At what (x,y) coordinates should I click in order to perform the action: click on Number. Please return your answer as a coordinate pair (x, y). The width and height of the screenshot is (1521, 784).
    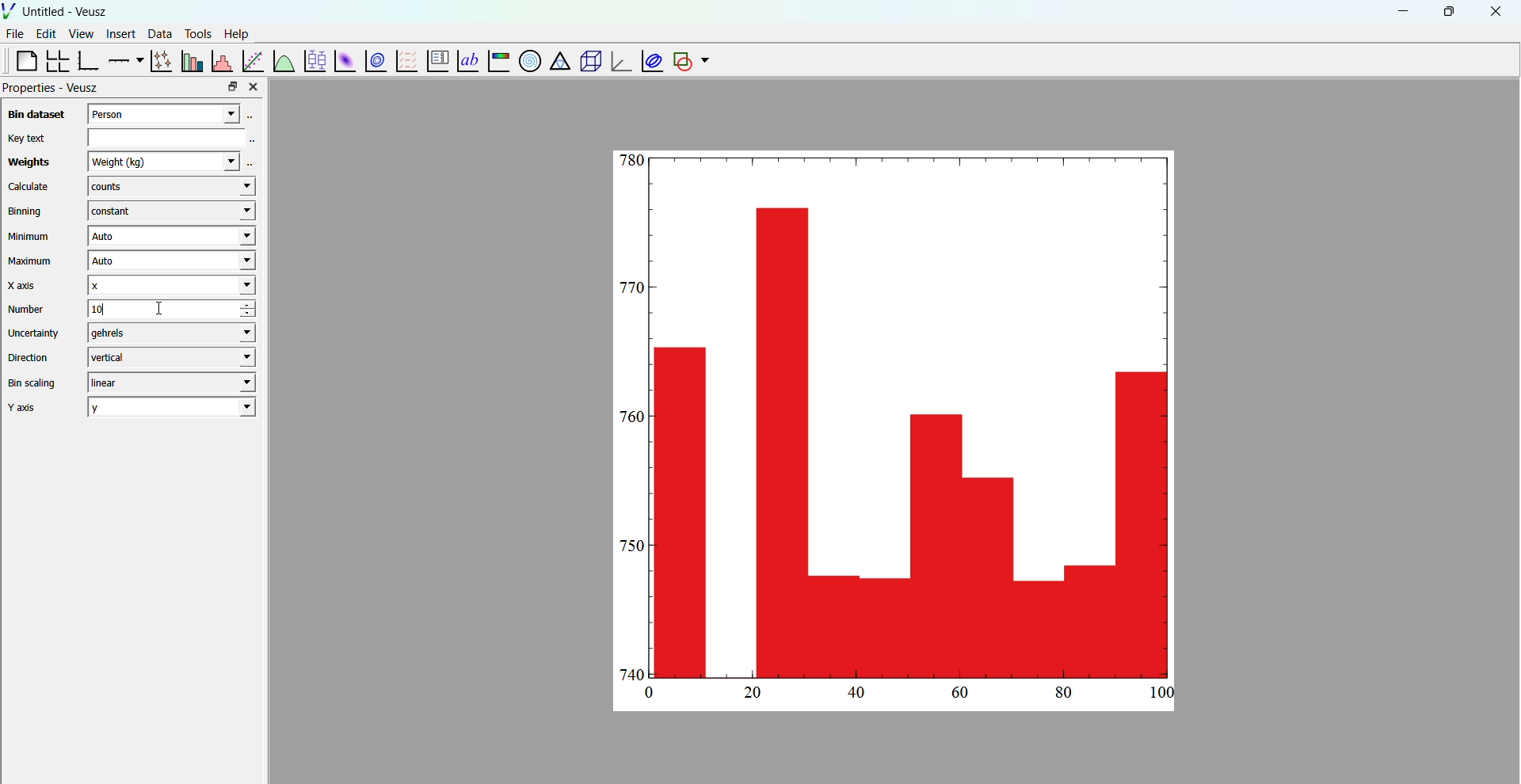
    Looking at the image, I should click on (27, 309).